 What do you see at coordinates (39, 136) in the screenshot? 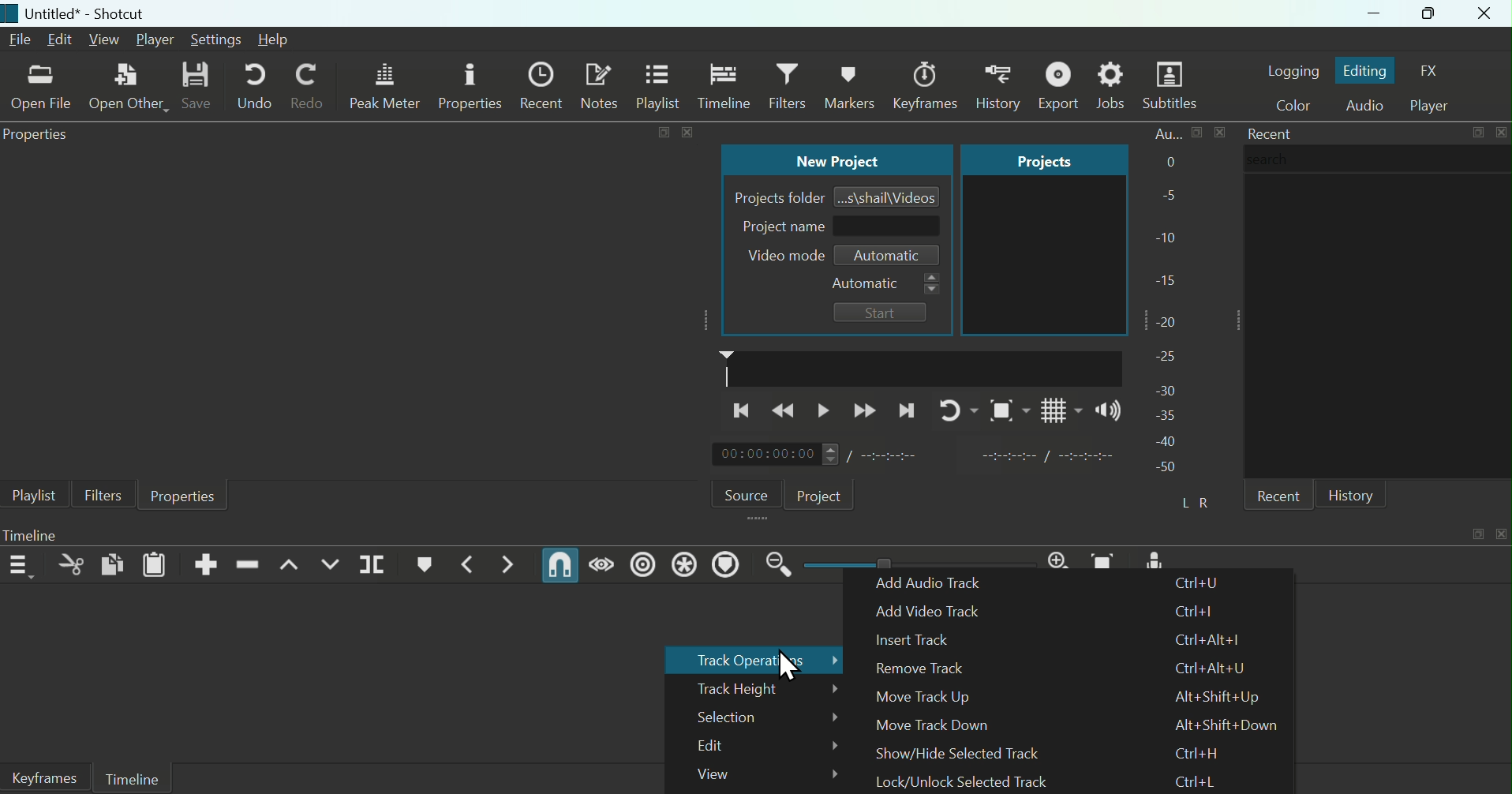
I see `Properties` at bounding box center [39, 136].